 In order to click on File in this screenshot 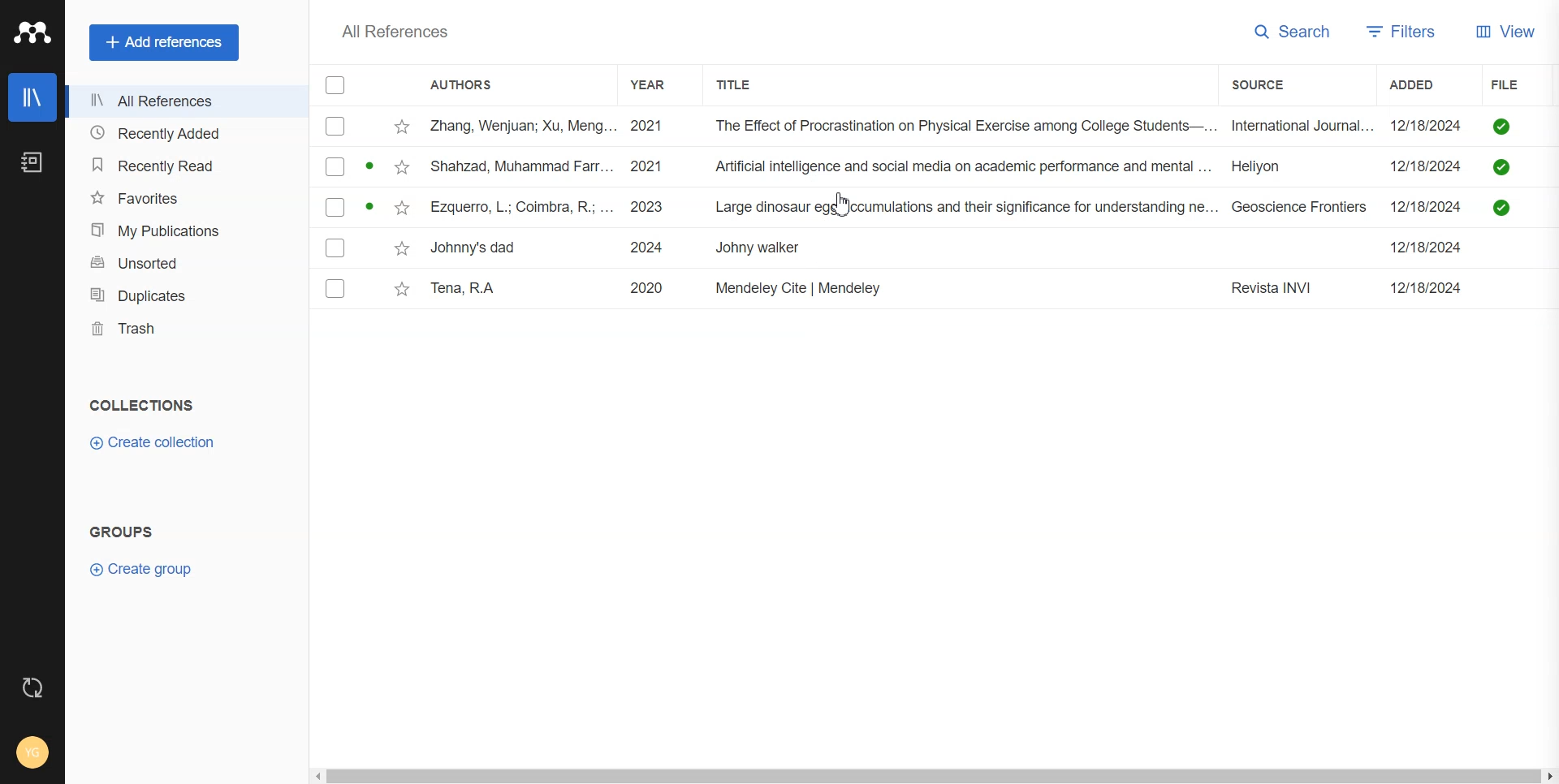, I will do `click(900, 125)`.